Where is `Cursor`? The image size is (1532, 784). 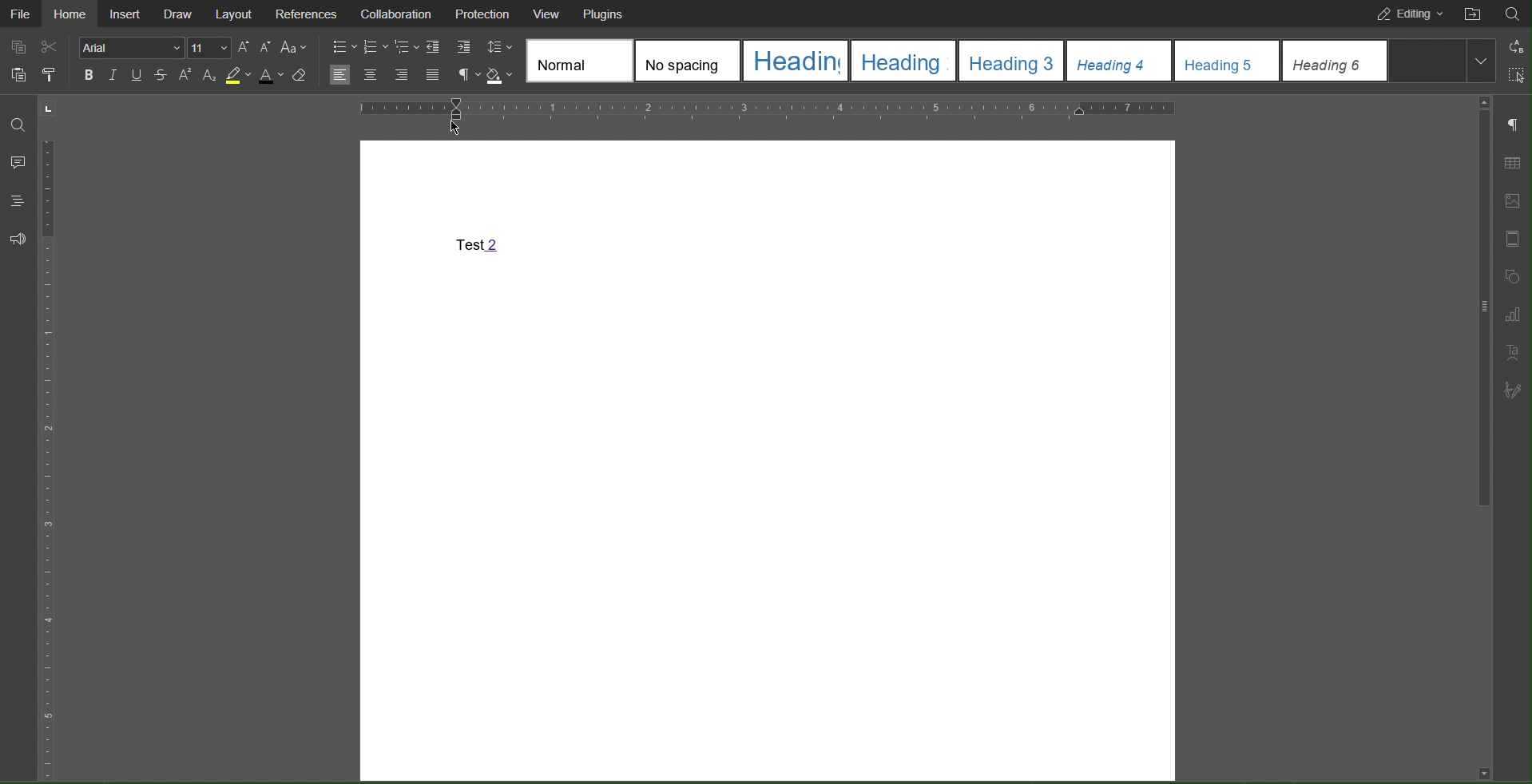 Cursor is located at coordinates (454, 131).